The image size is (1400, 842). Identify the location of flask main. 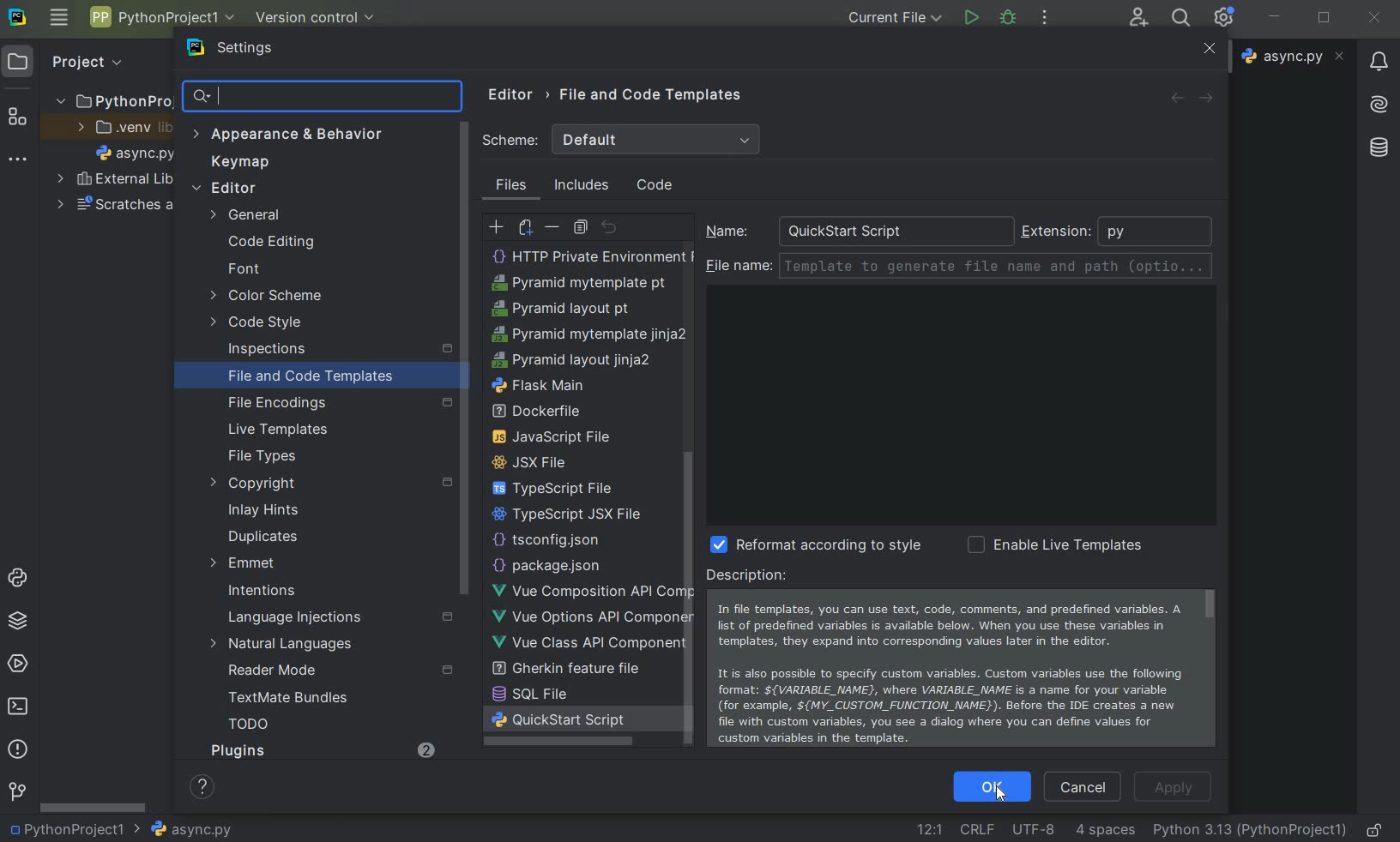
(539, 743).